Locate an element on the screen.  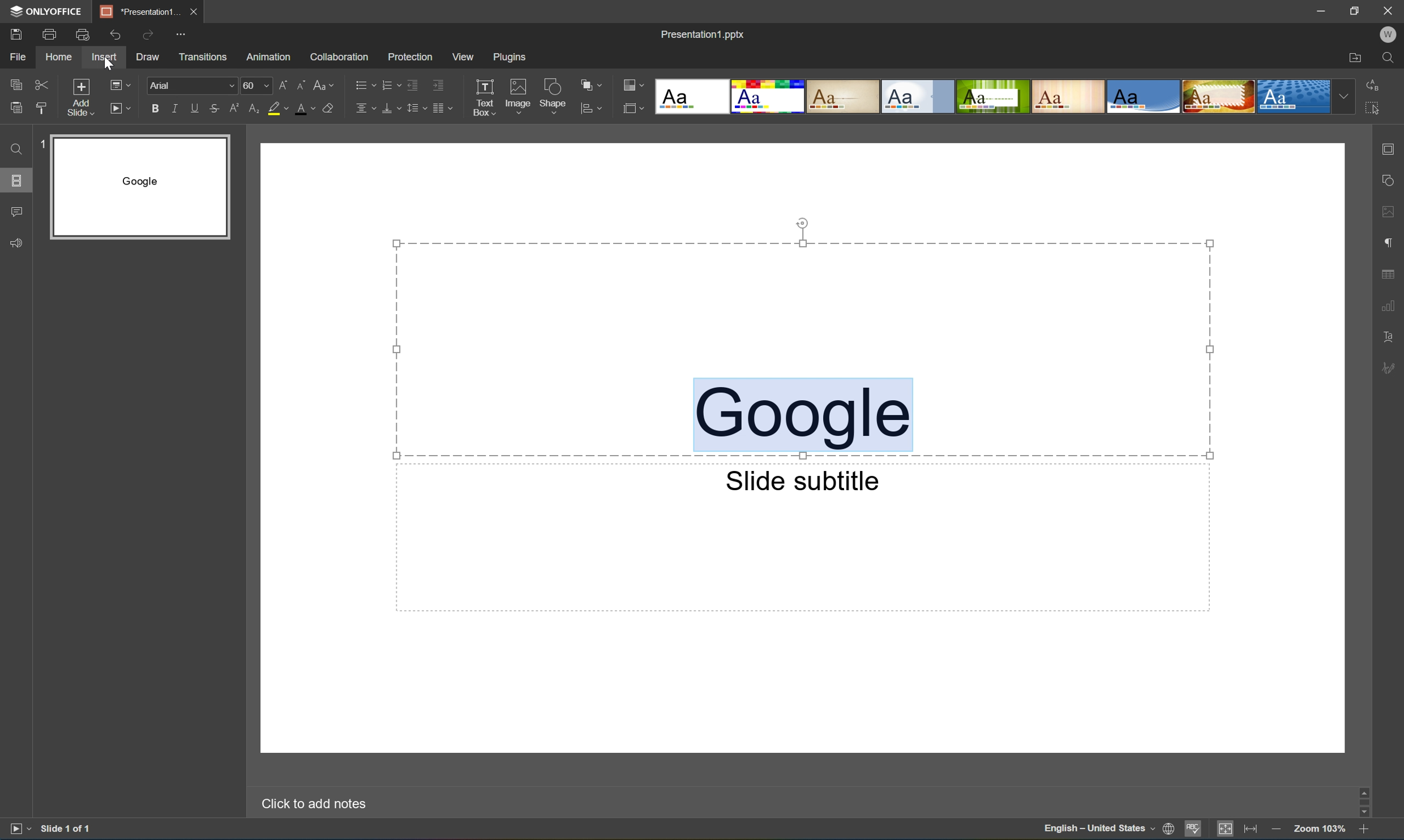
Fit to width is located at coordinates (1255, 829).